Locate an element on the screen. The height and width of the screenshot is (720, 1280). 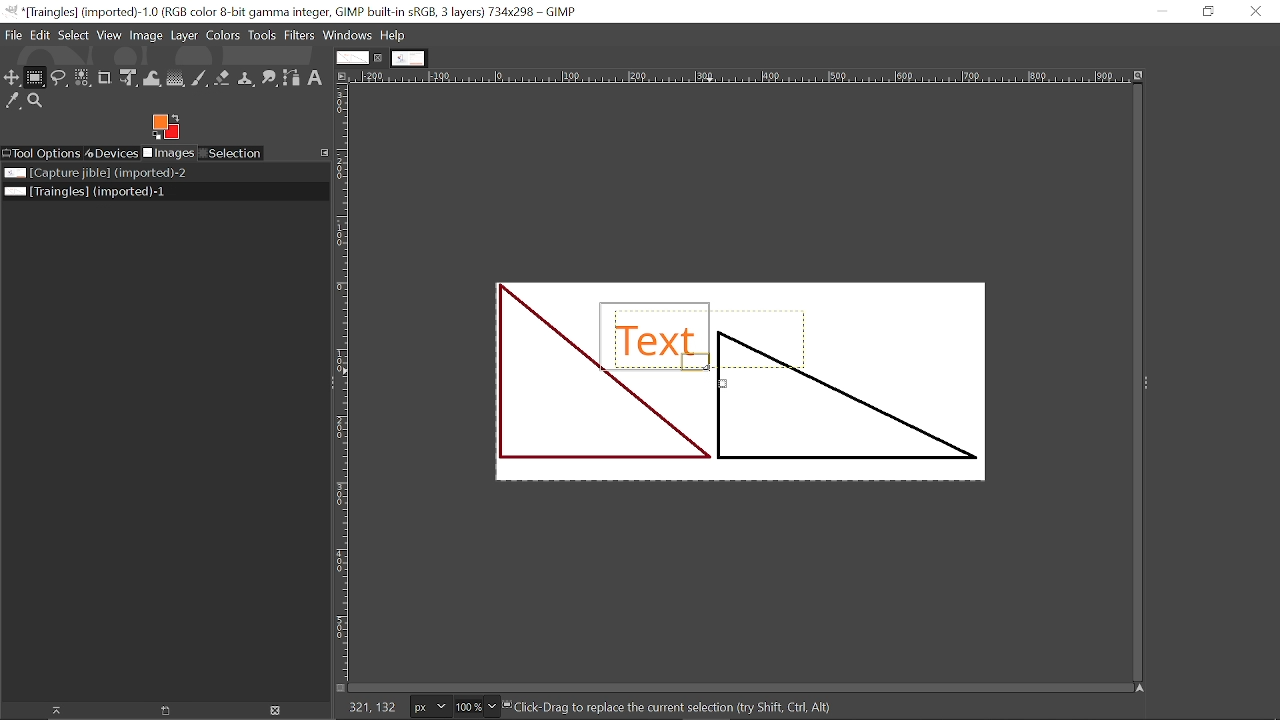
Cursor is located at coordinates (718, 378).